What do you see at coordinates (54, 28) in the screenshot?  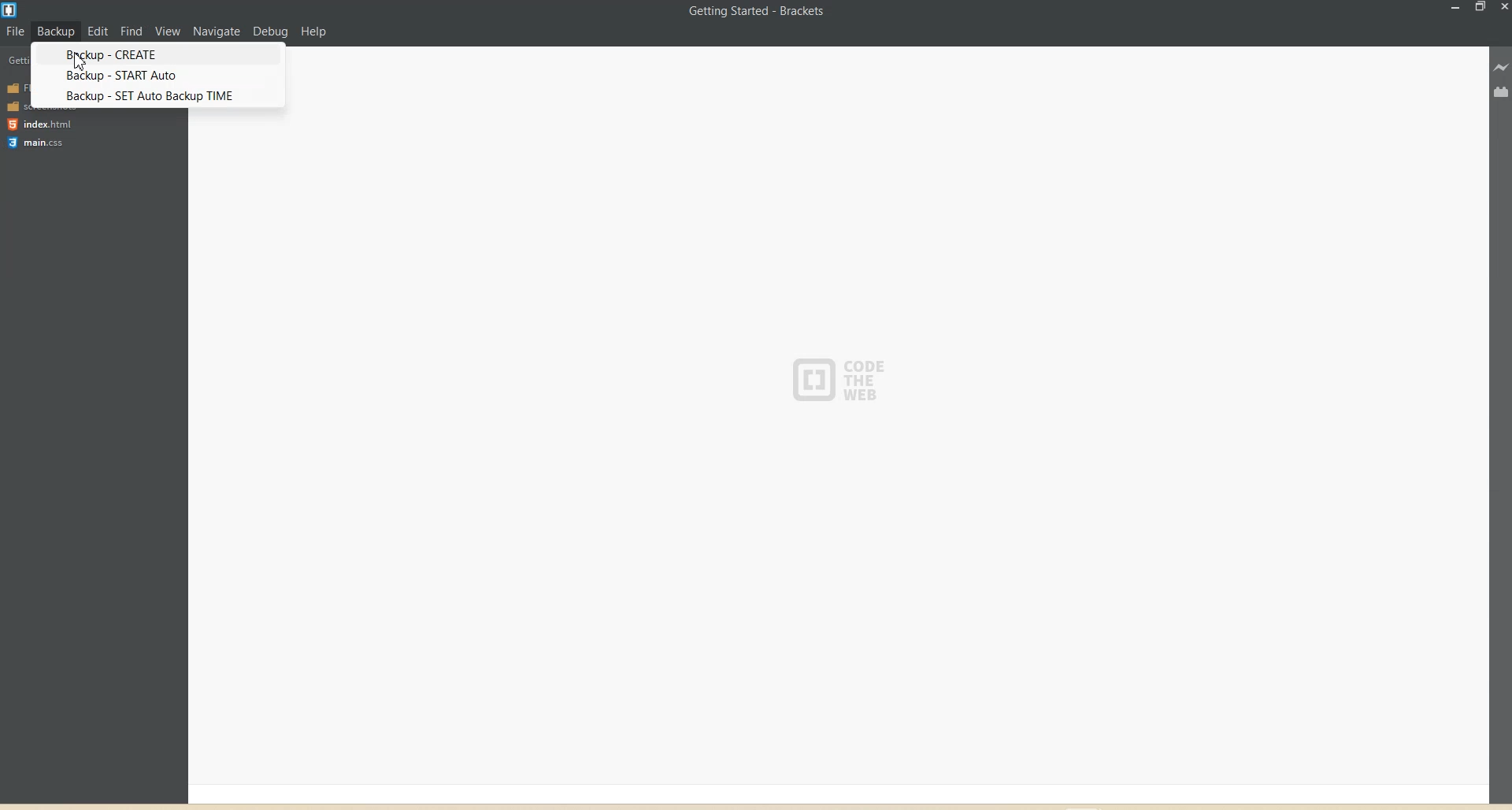 I see `Backup` at bounding box center [54, 28].